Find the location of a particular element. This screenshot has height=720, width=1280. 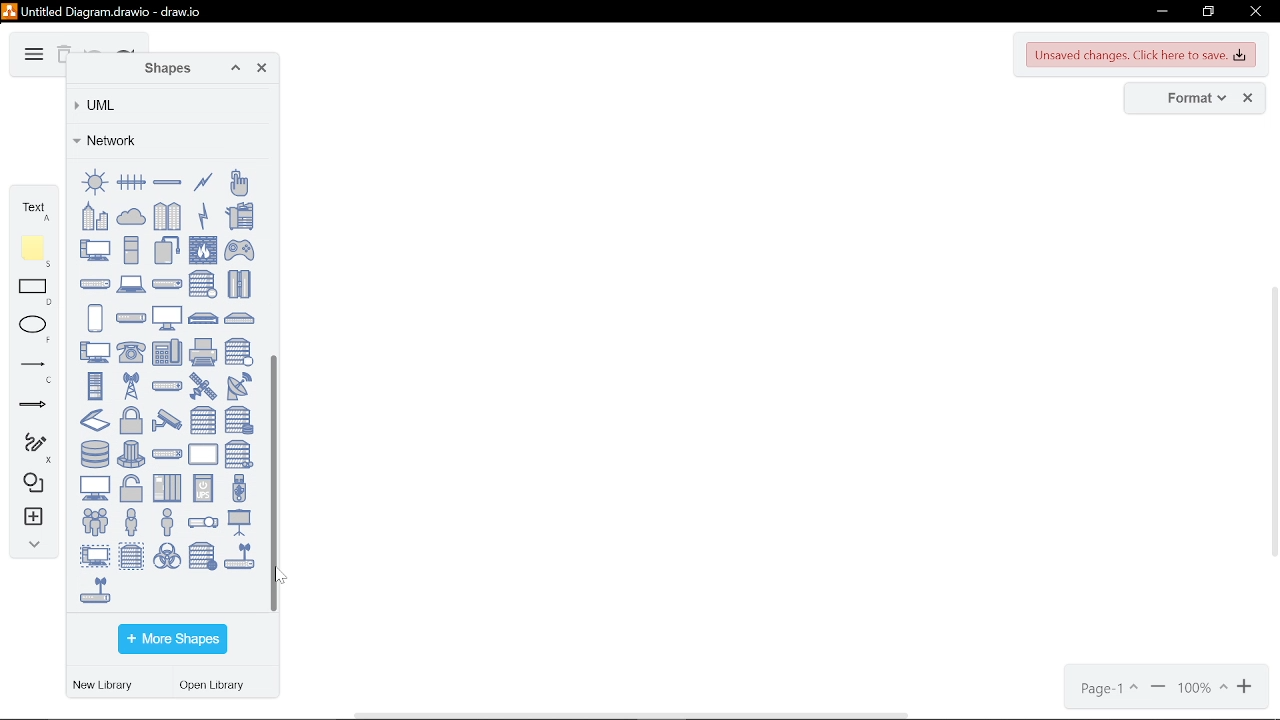

virtual PC is located at coordinates (95, 555).